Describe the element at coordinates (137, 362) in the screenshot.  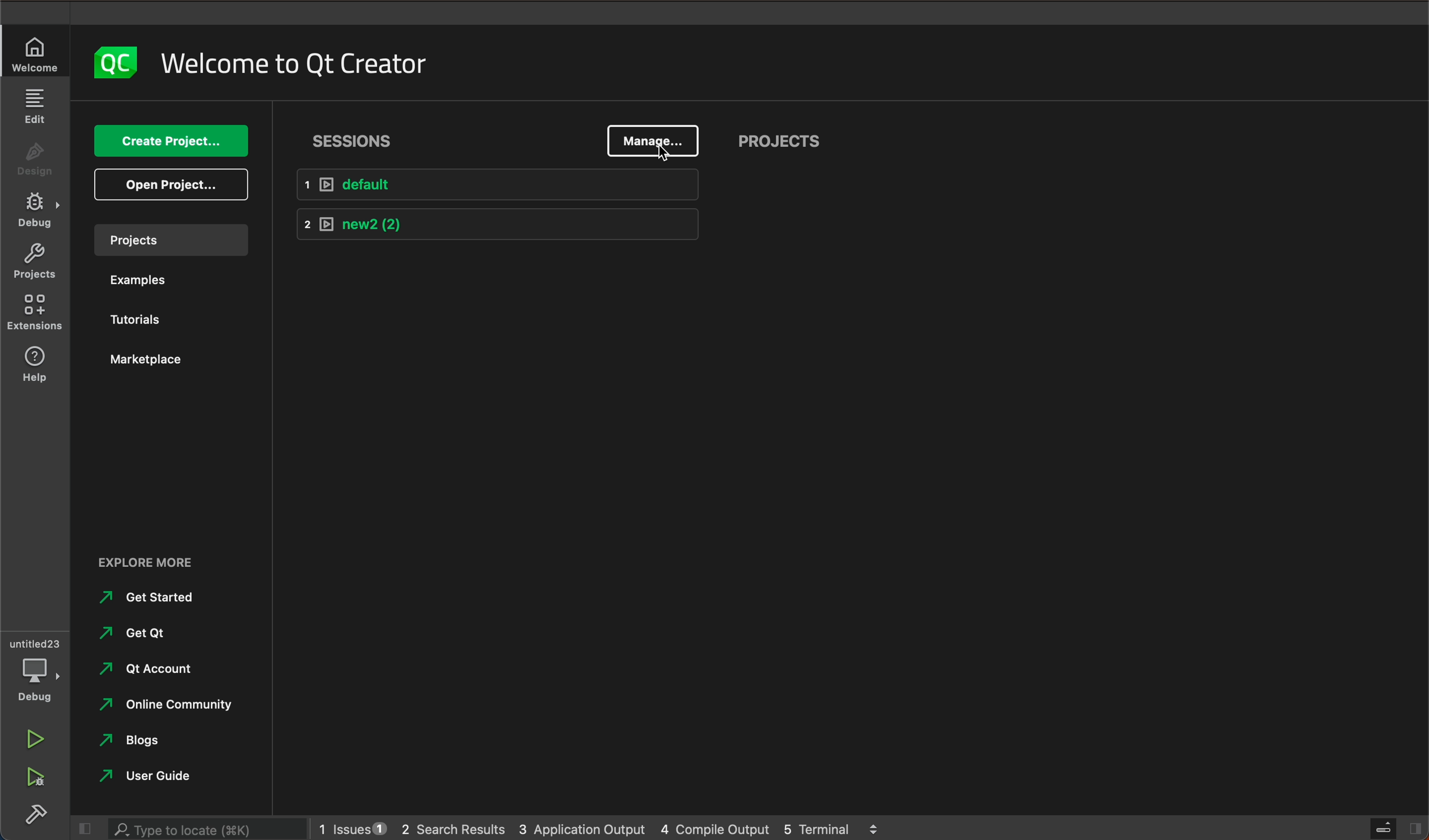
I see `marketplace` at that location.